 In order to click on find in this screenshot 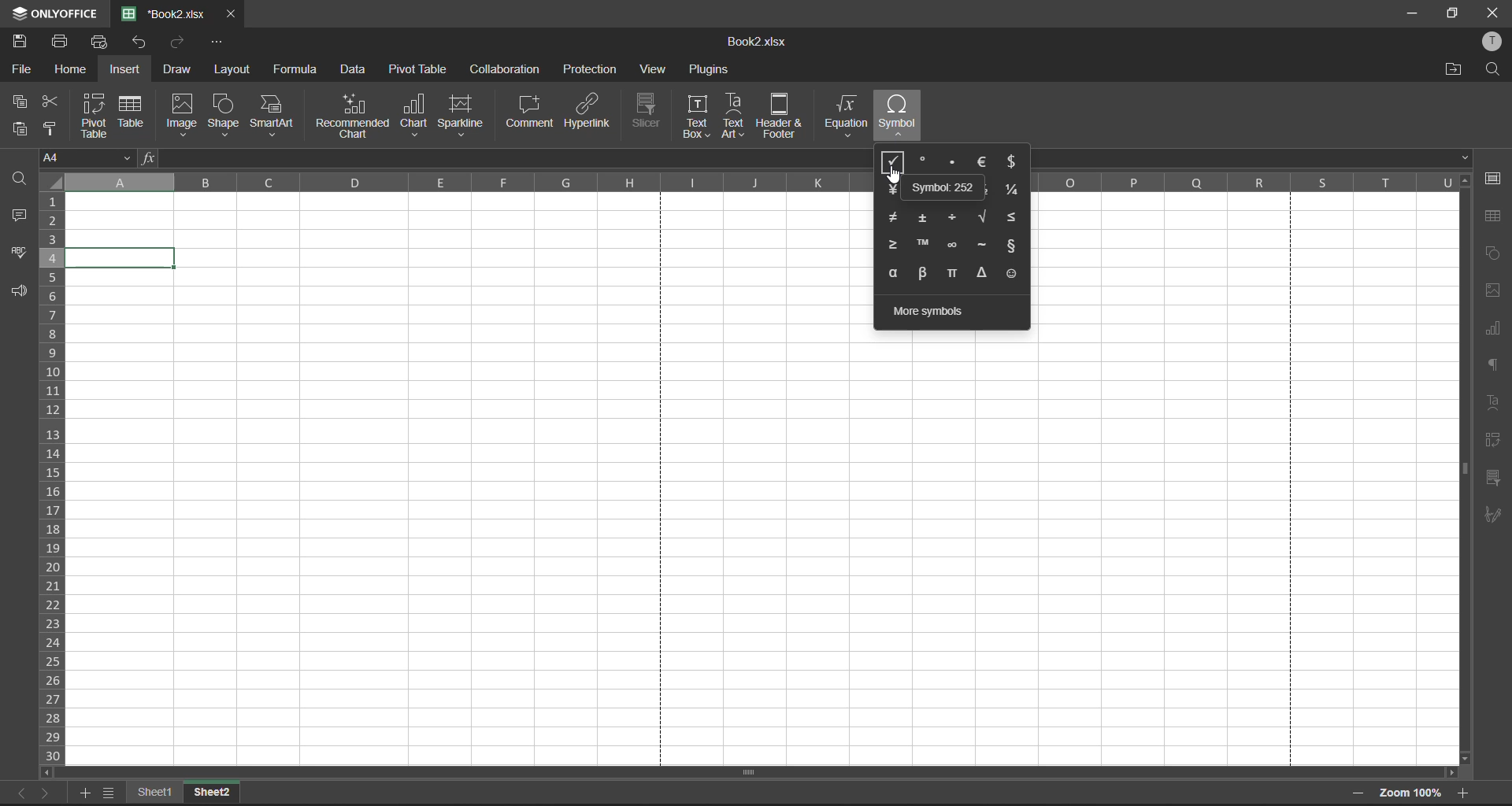, I will do `click(1492, 69)`.